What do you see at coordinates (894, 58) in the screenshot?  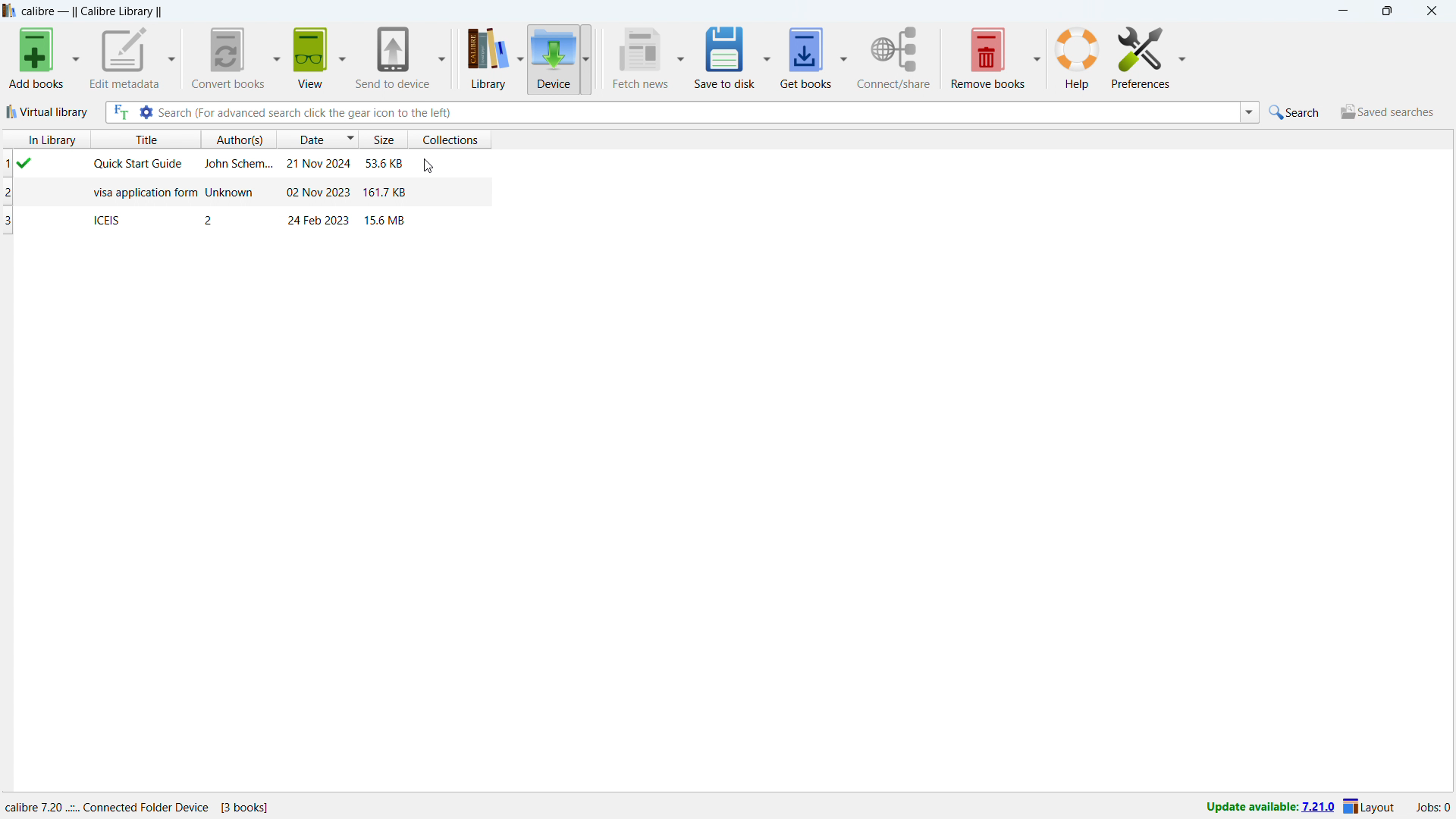 I see `connect/share` at bounding box center [894, 58].